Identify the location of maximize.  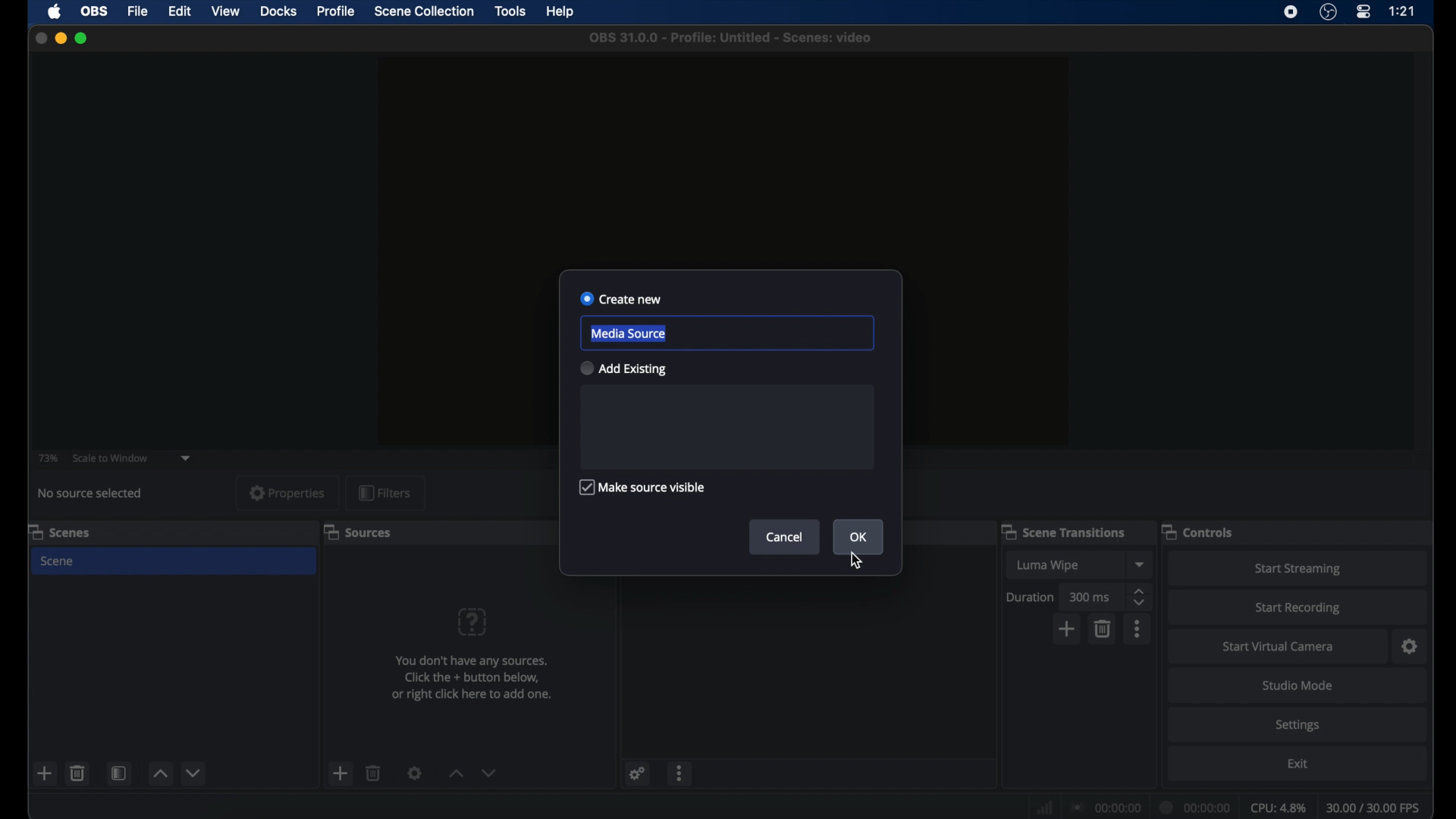
(82, 38).